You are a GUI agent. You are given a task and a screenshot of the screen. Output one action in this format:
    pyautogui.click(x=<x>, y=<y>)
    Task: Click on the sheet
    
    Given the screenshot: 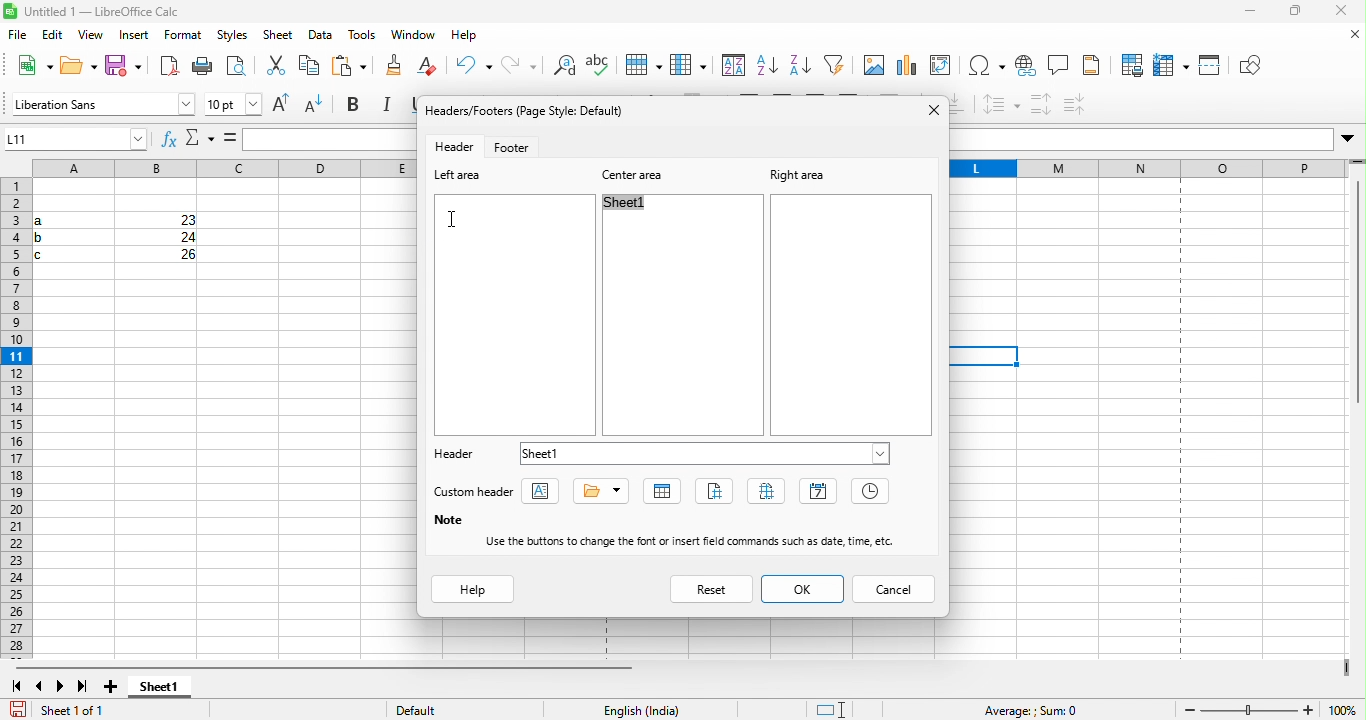 What is the action you would take?
    pyautogui.click(x=277, y=39)
    